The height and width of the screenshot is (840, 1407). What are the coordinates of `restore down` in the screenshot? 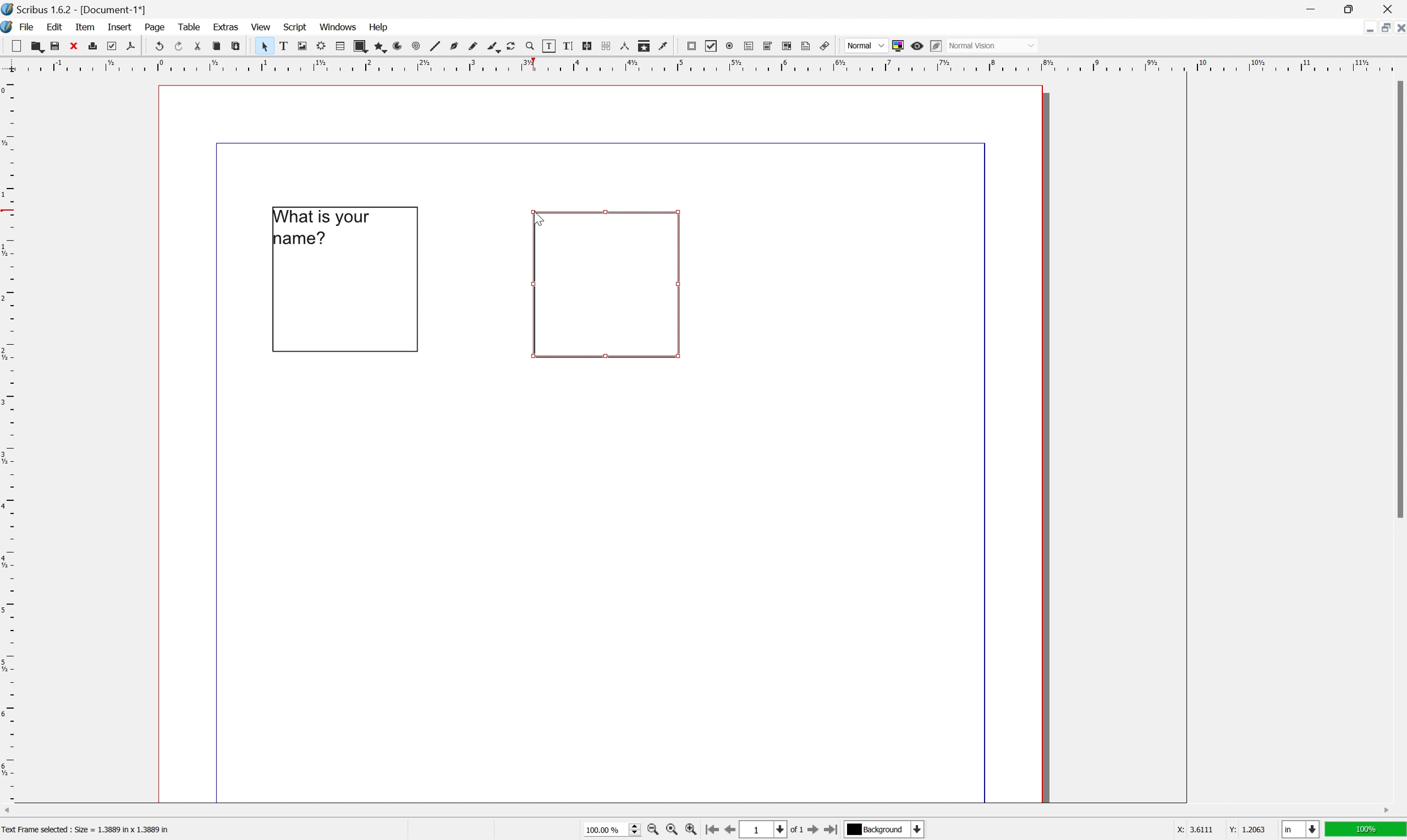 It's located at (1353, 8).